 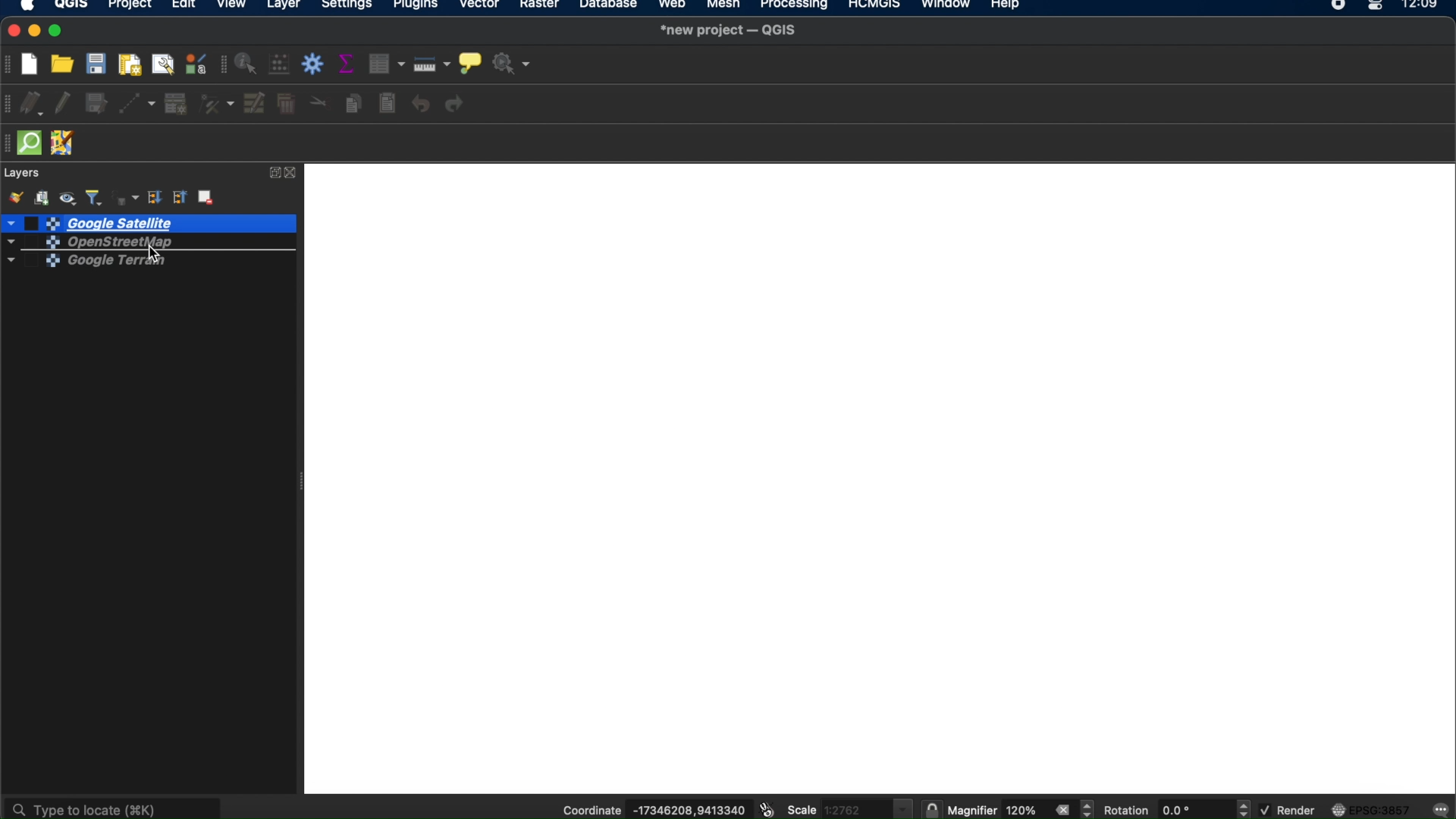 What do you see at coordinates (284, 6) in the screenshot?
I see `layer` at bounding box center [284, 6].